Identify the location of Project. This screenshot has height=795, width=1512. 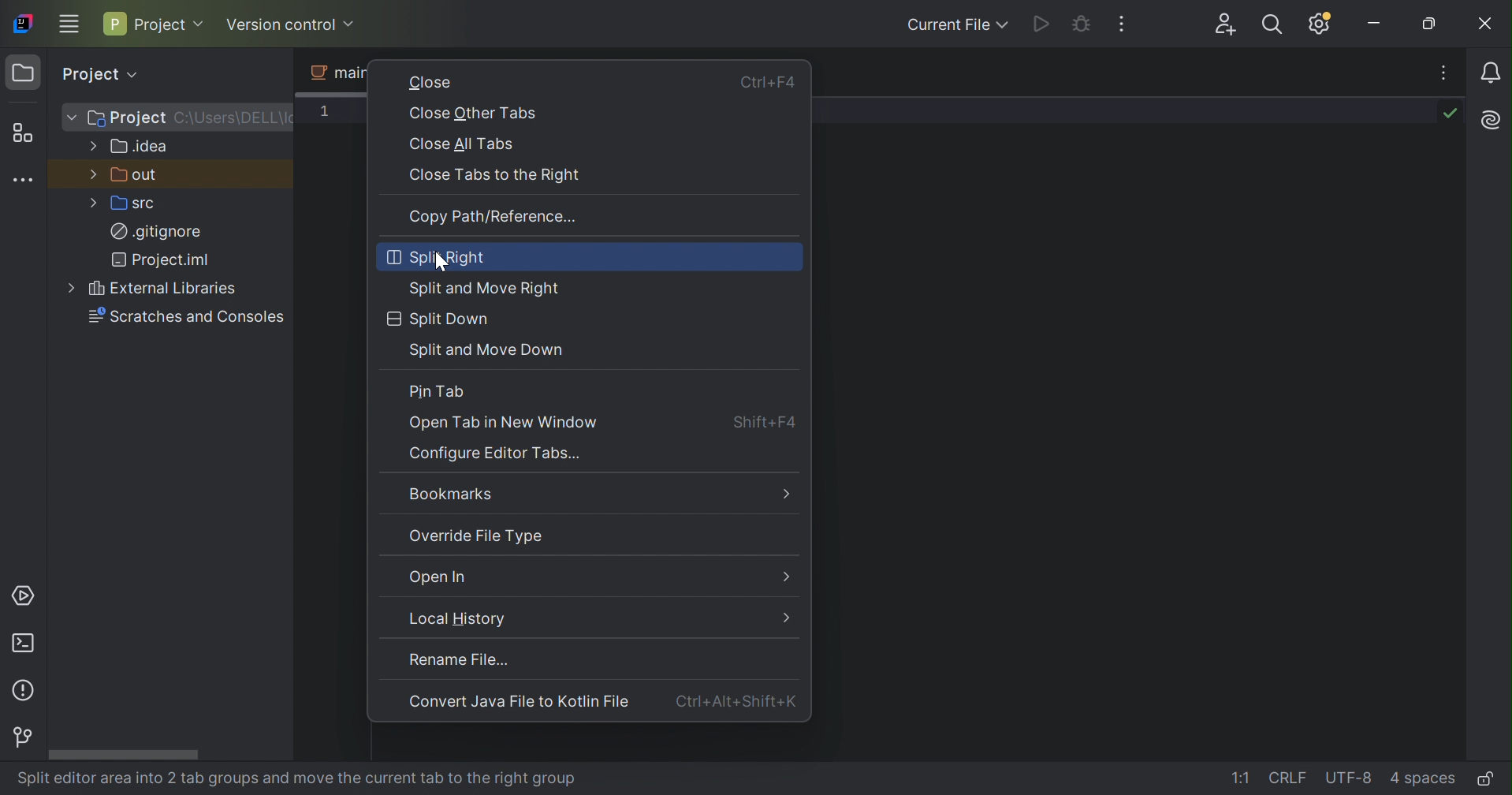
(127, 119).